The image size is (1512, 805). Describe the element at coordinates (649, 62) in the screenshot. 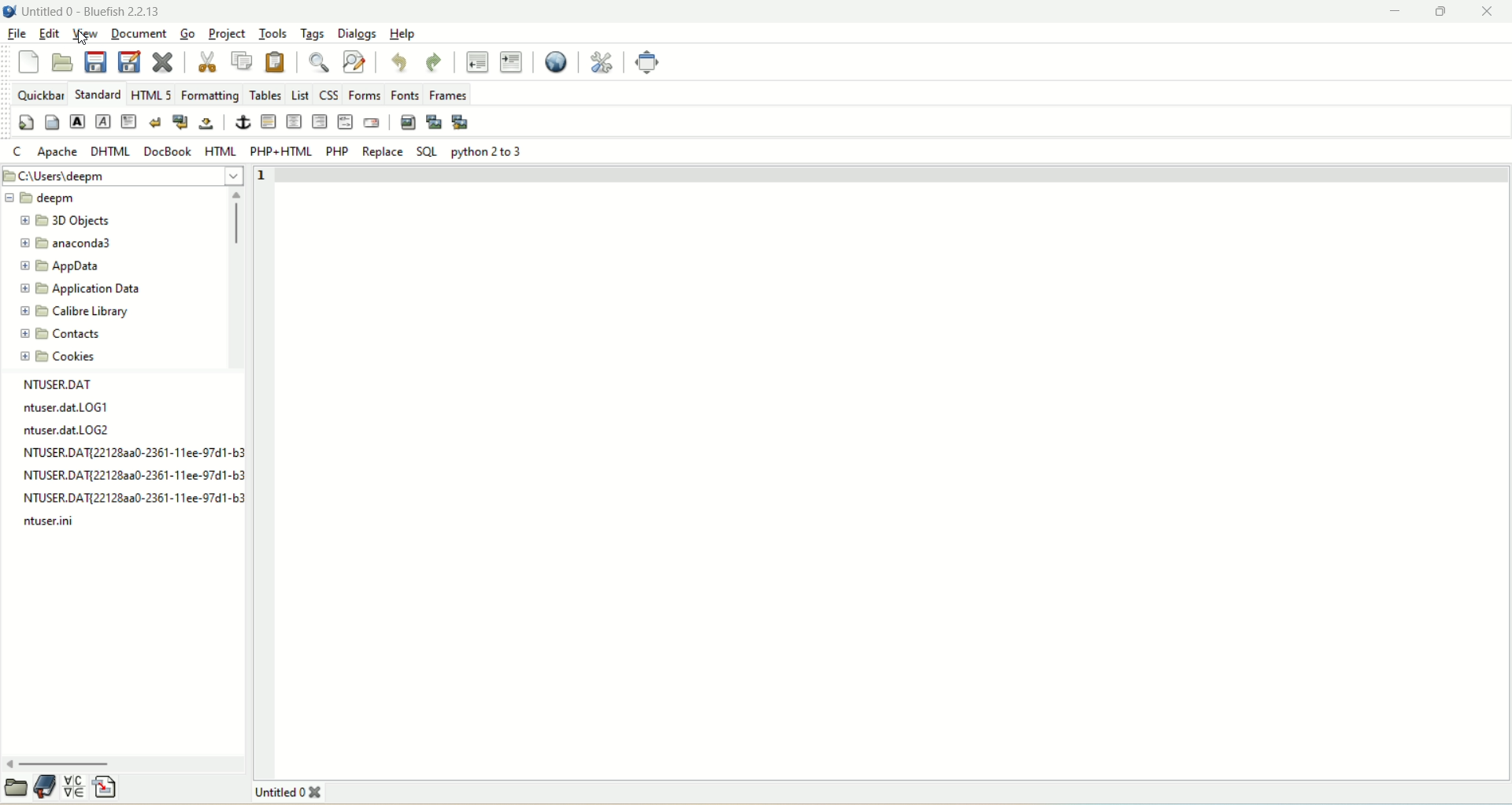

I see `fullscreen` at that location.